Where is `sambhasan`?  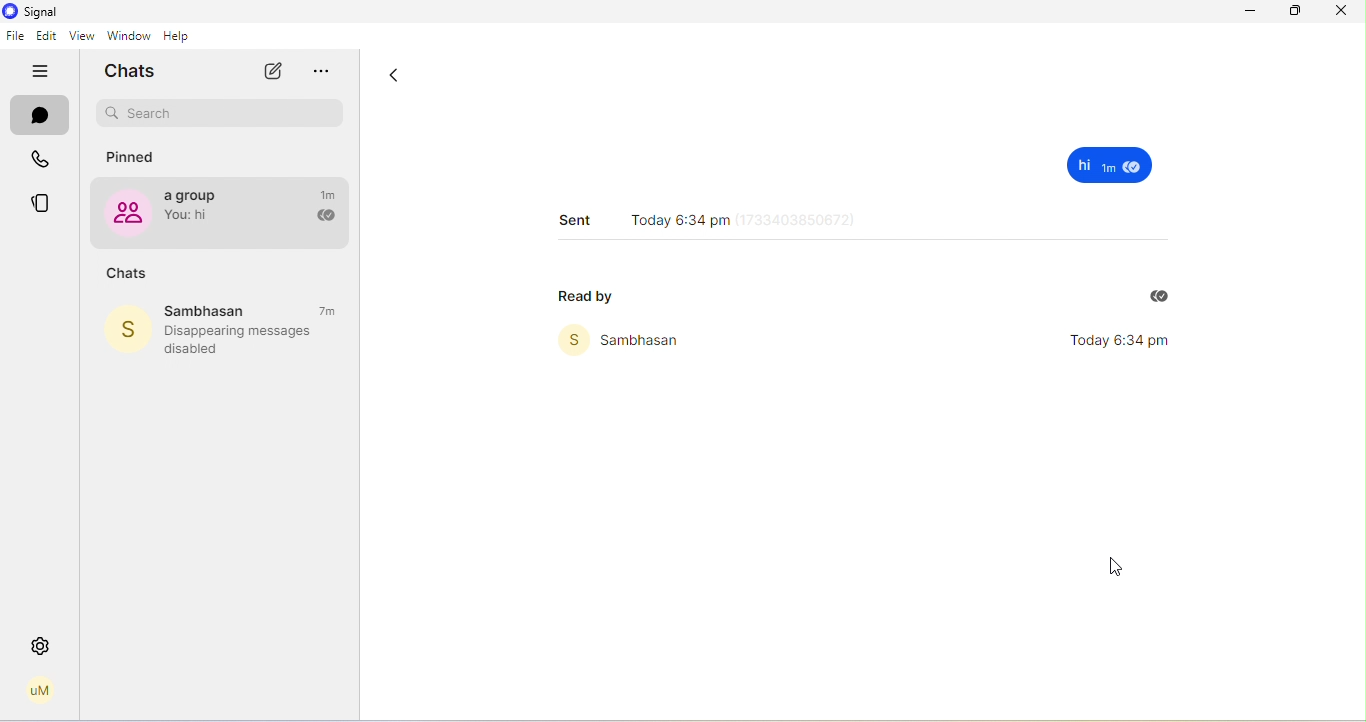 sambhasan is located at coordinates (628, 340).